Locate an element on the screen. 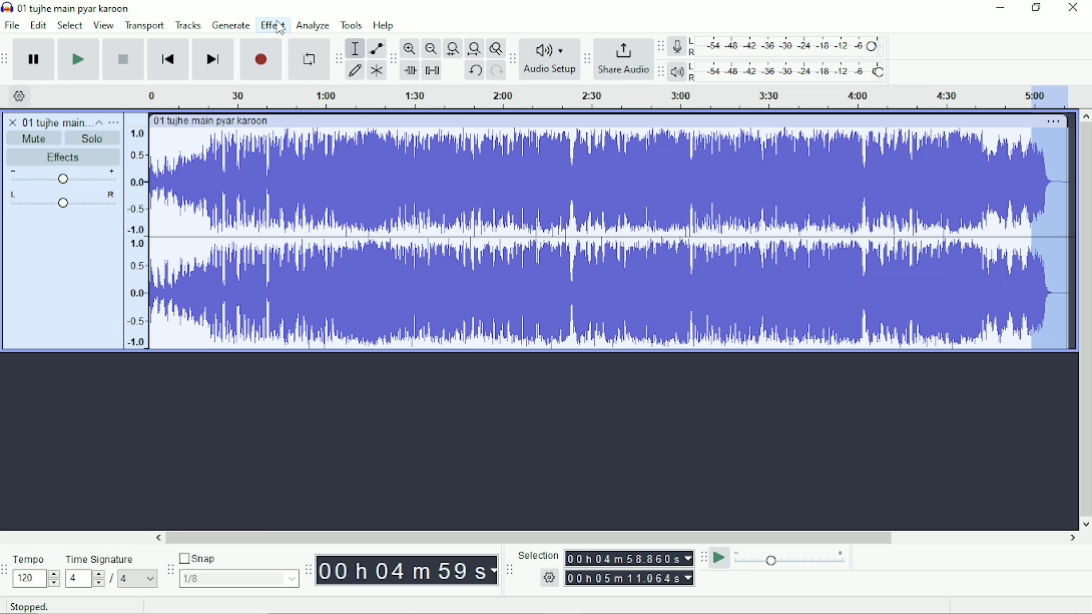 Image resolution: width=1092 pixels, height=614 pixels. Playback meter is located at coordinates (778, 71).